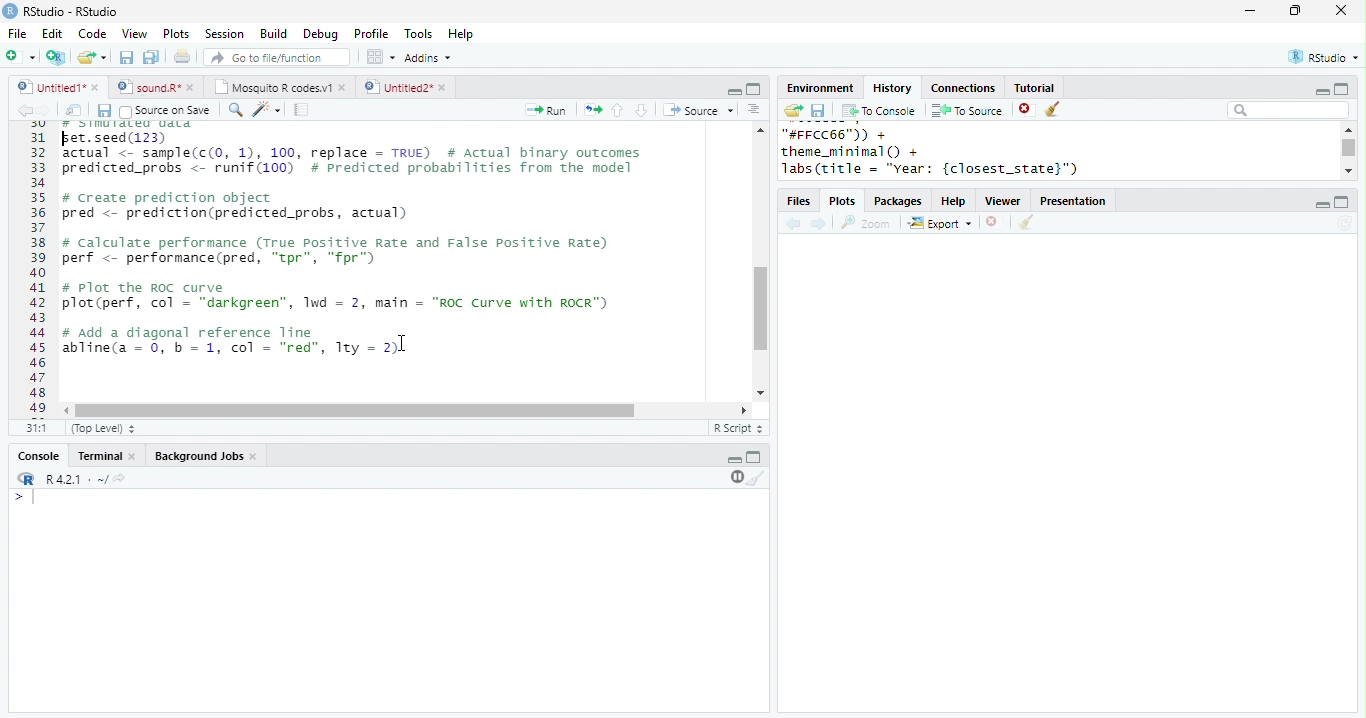  I want to click on Debug, so click(323, 35).